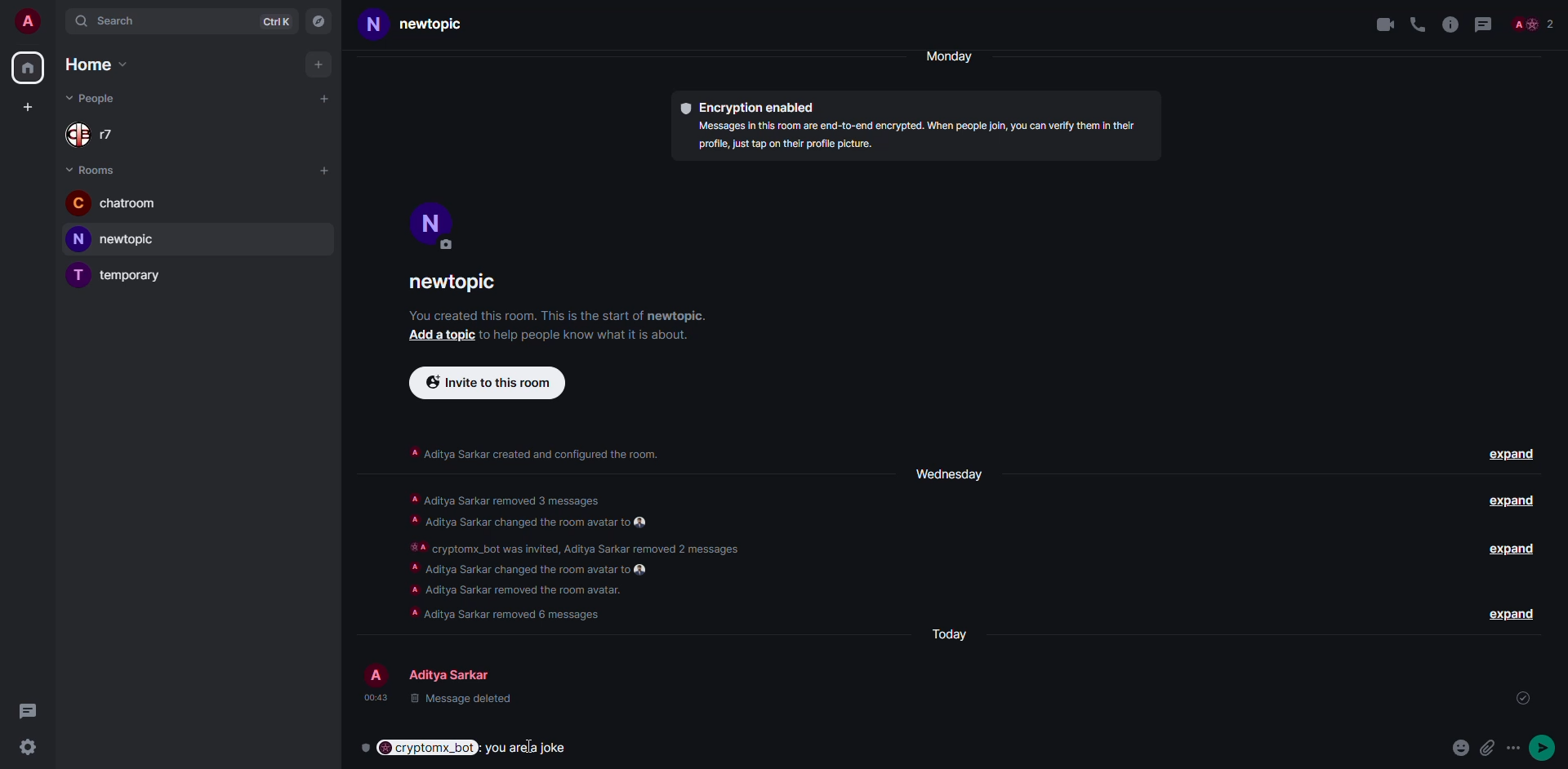  Describe the element at coordinates (317, 64) in the screenshot. I see `add` at that location.